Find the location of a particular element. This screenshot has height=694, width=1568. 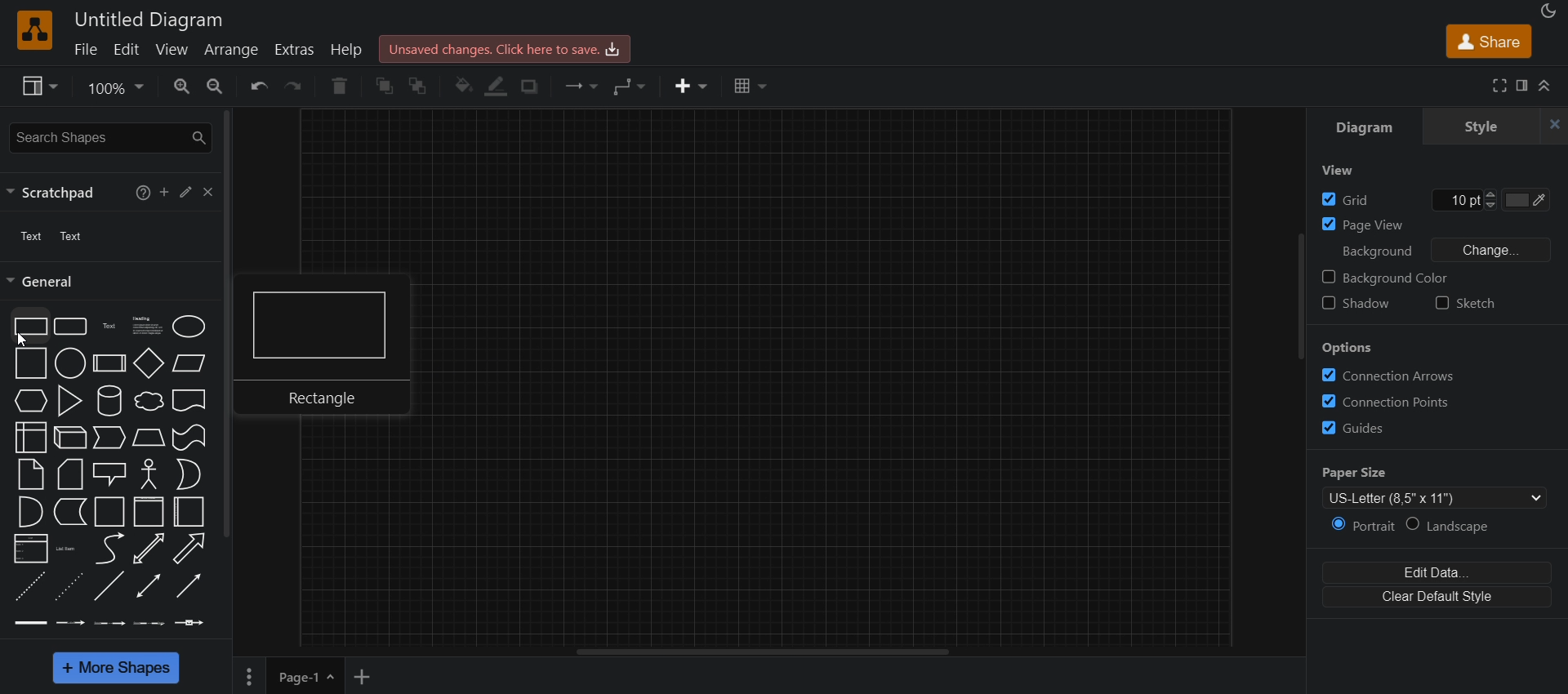

conncetion arrows is located at coordinates (1397, 376).